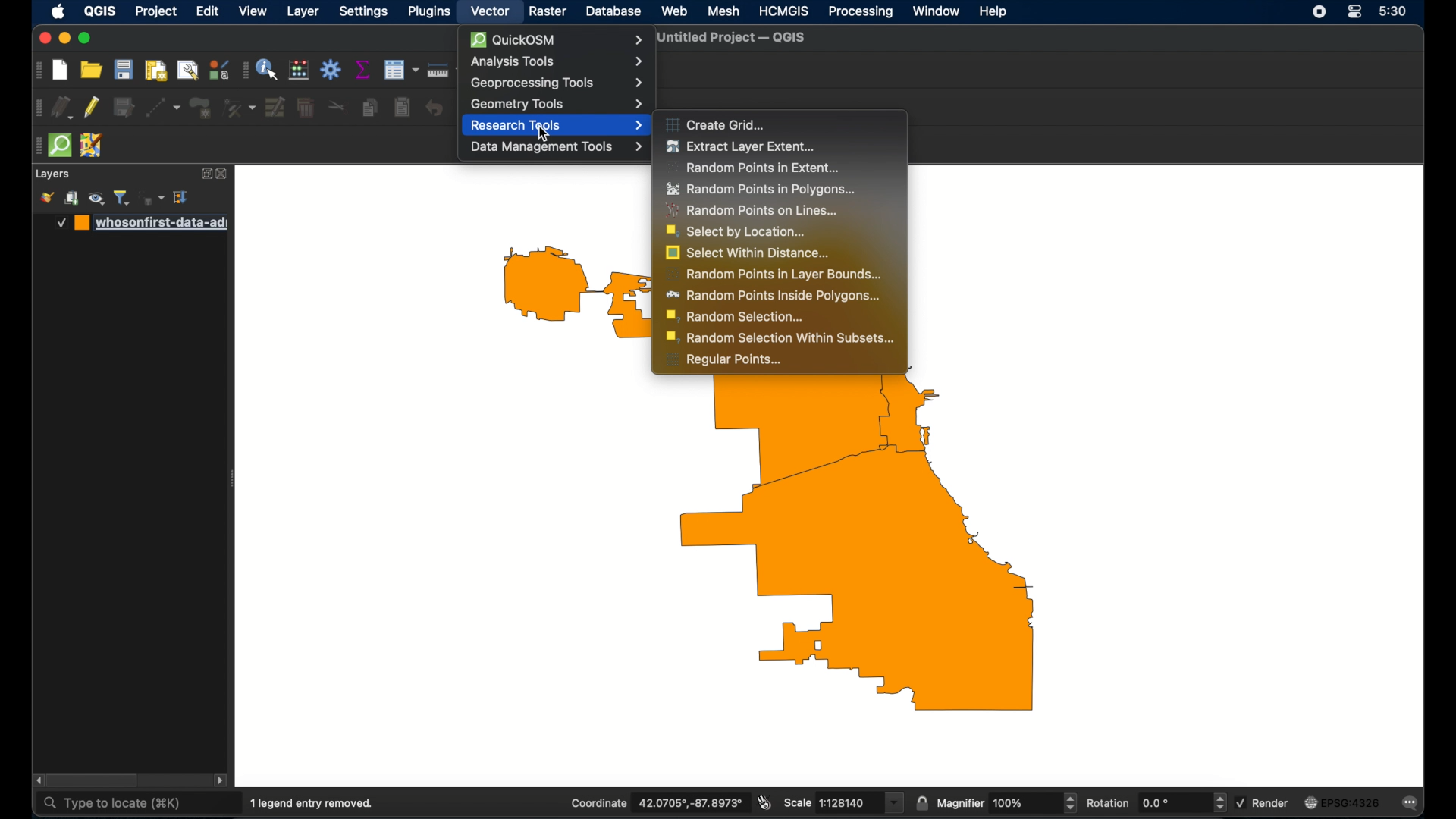 The width and height of the screenshot is (1456, 819). I want to click on regular points, so click(724, 361).